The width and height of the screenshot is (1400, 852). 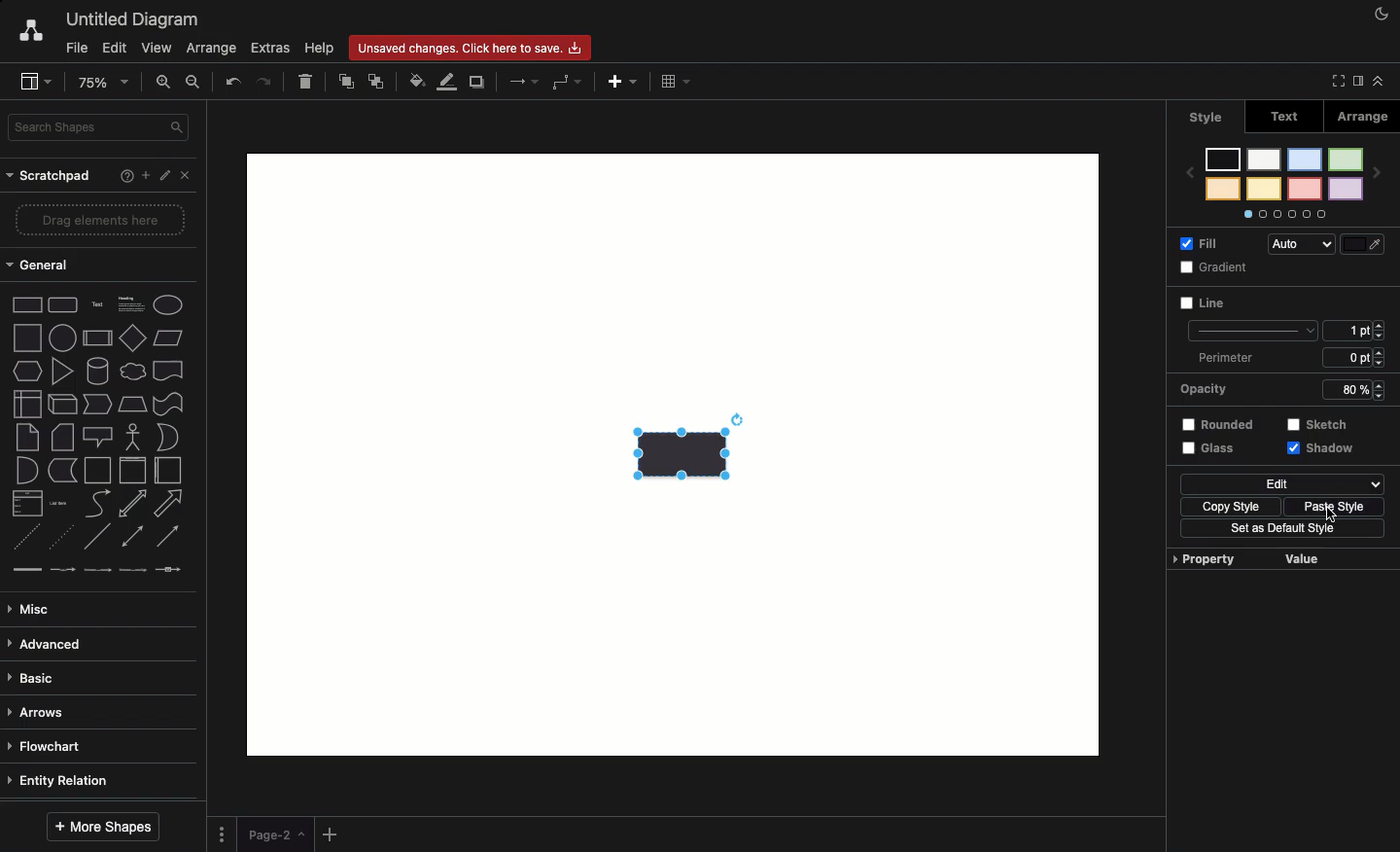 What do you see at coordinates (63, 569) in the screenshot?
I see `connector with label` at bounding box center [63, 569].